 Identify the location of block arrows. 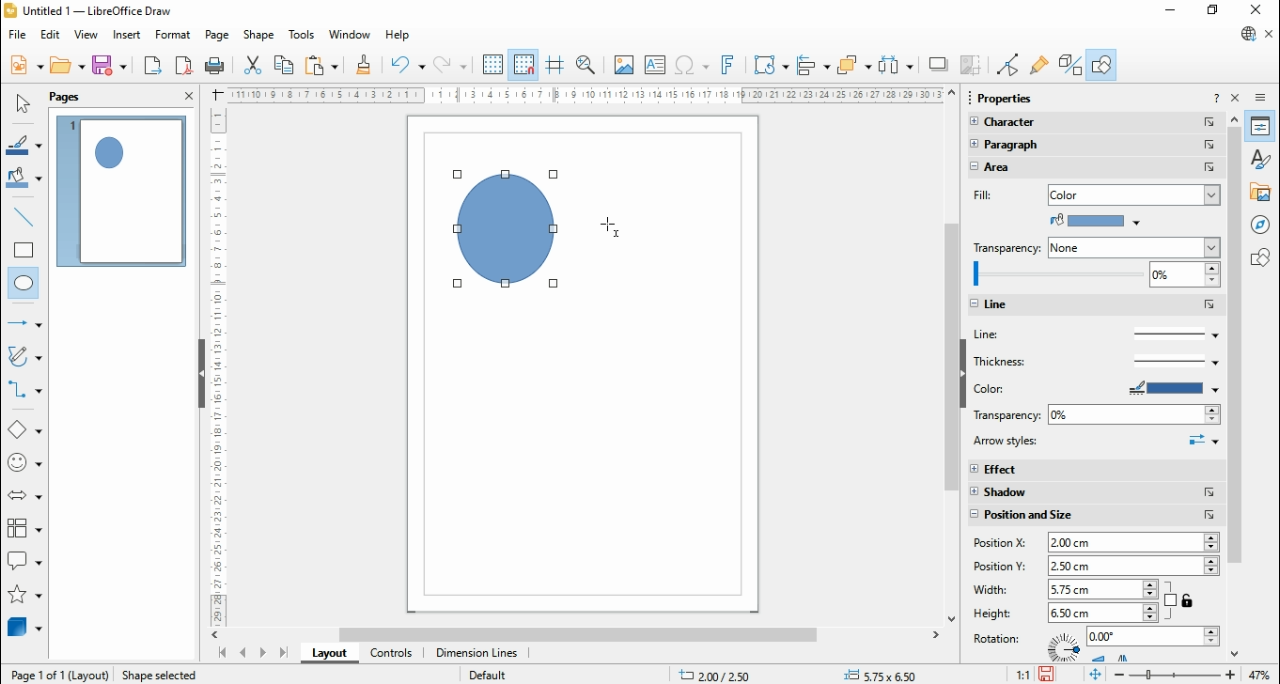
(27, 497).